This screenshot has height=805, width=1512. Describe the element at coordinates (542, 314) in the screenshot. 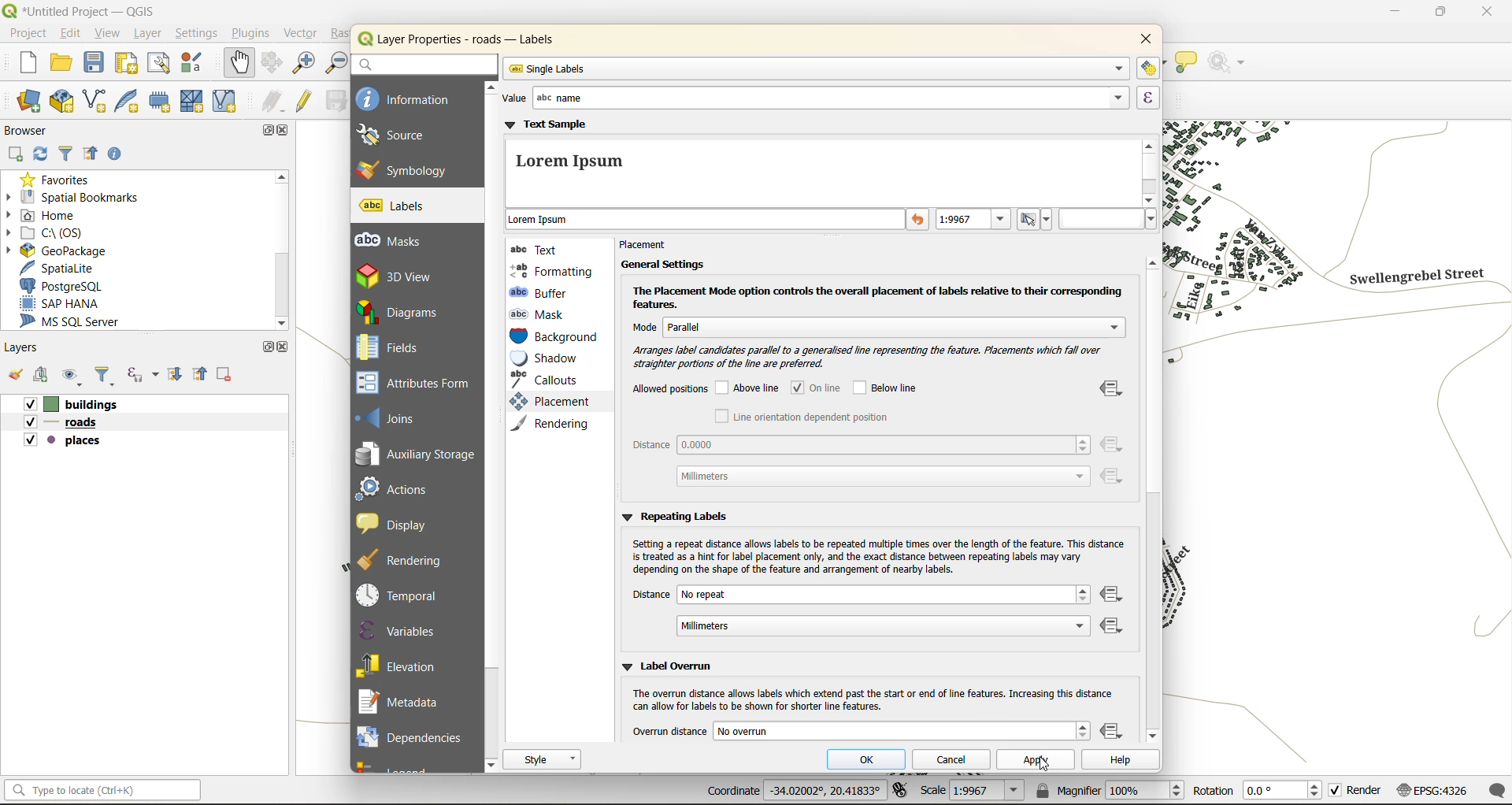

I see `mask` at that location.